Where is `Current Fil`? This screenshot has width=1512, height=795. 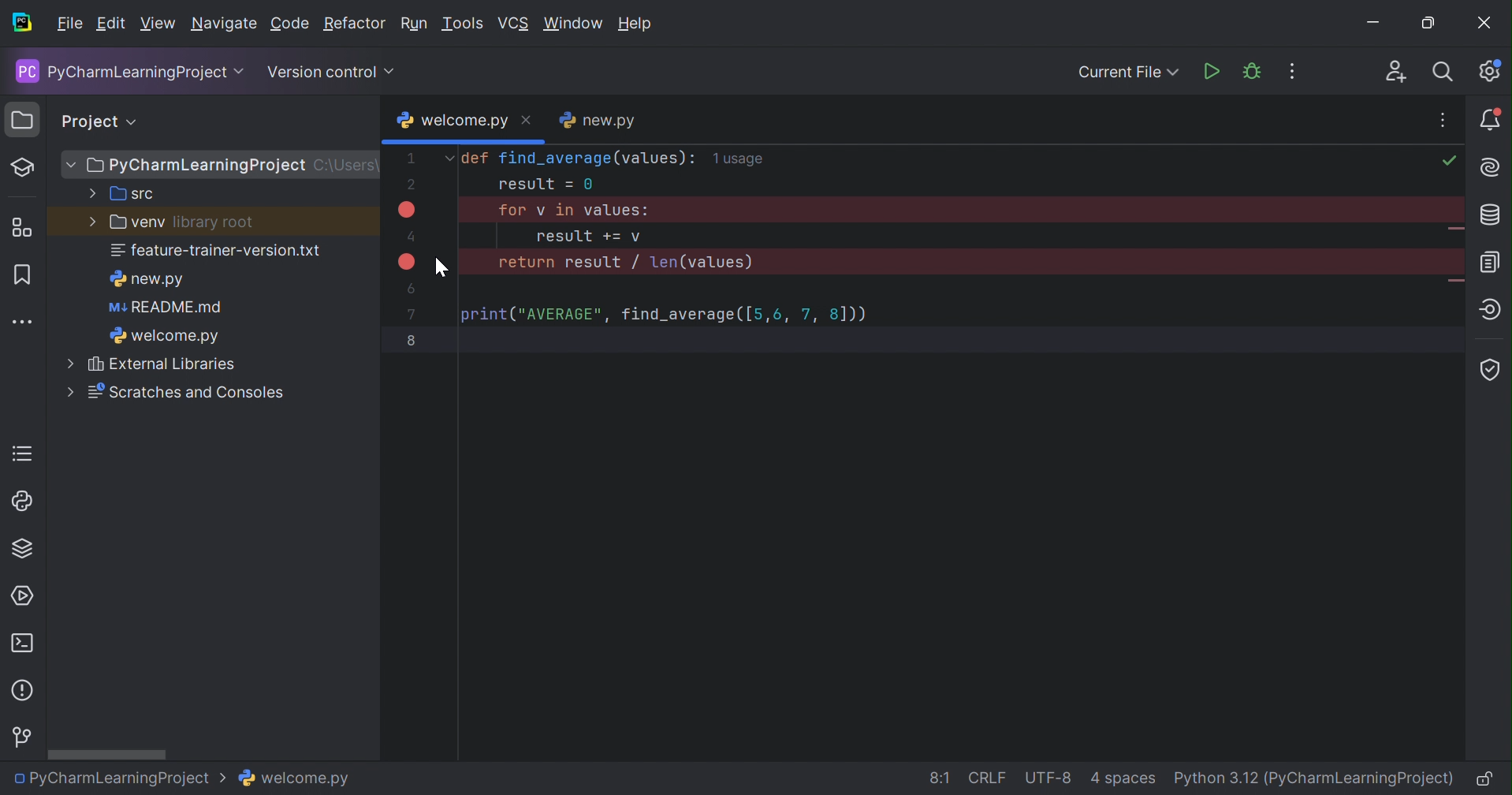
Current Fil is located at coordinates (1128, 74).